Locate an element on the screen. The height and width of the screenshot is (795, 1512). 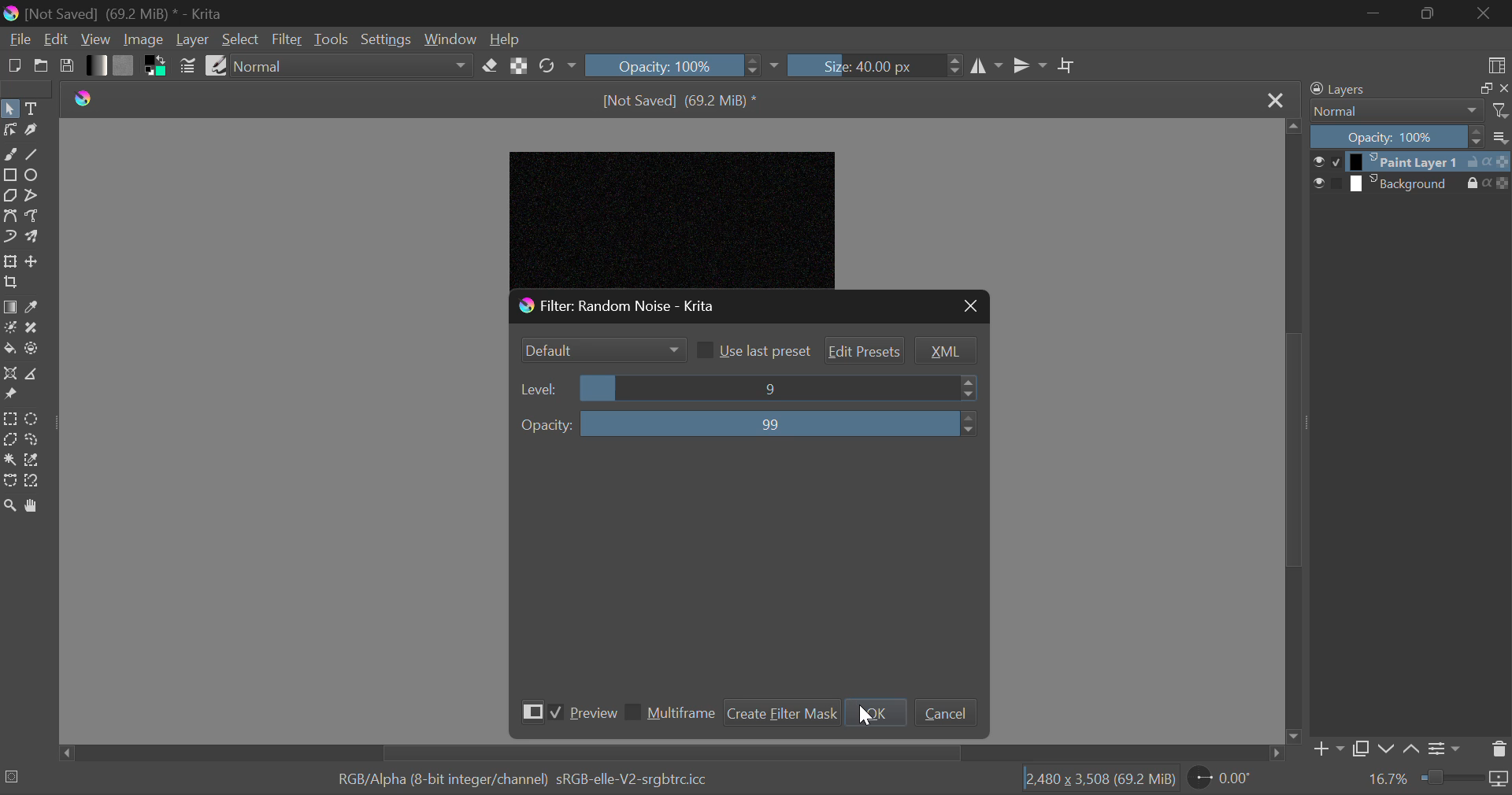
select is located at coordinates (1316, 160).